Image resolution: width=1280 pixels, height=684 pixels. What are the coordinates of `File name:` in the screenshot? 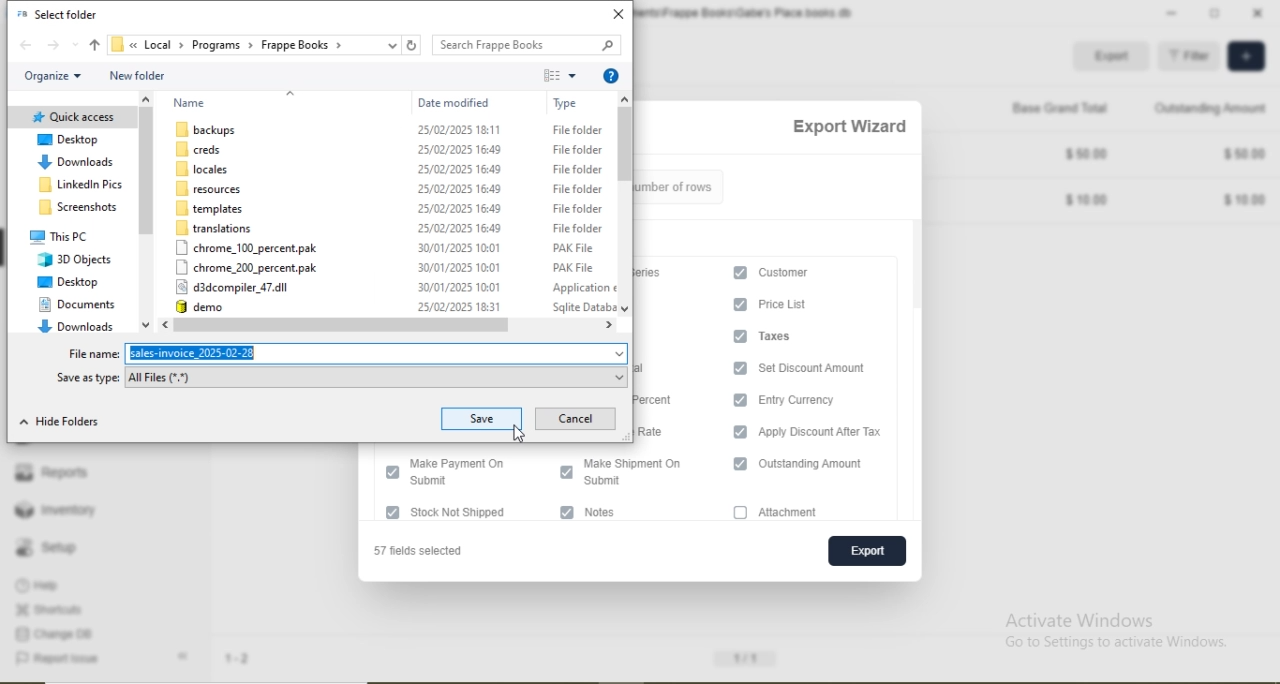 It's located at (97, 355).